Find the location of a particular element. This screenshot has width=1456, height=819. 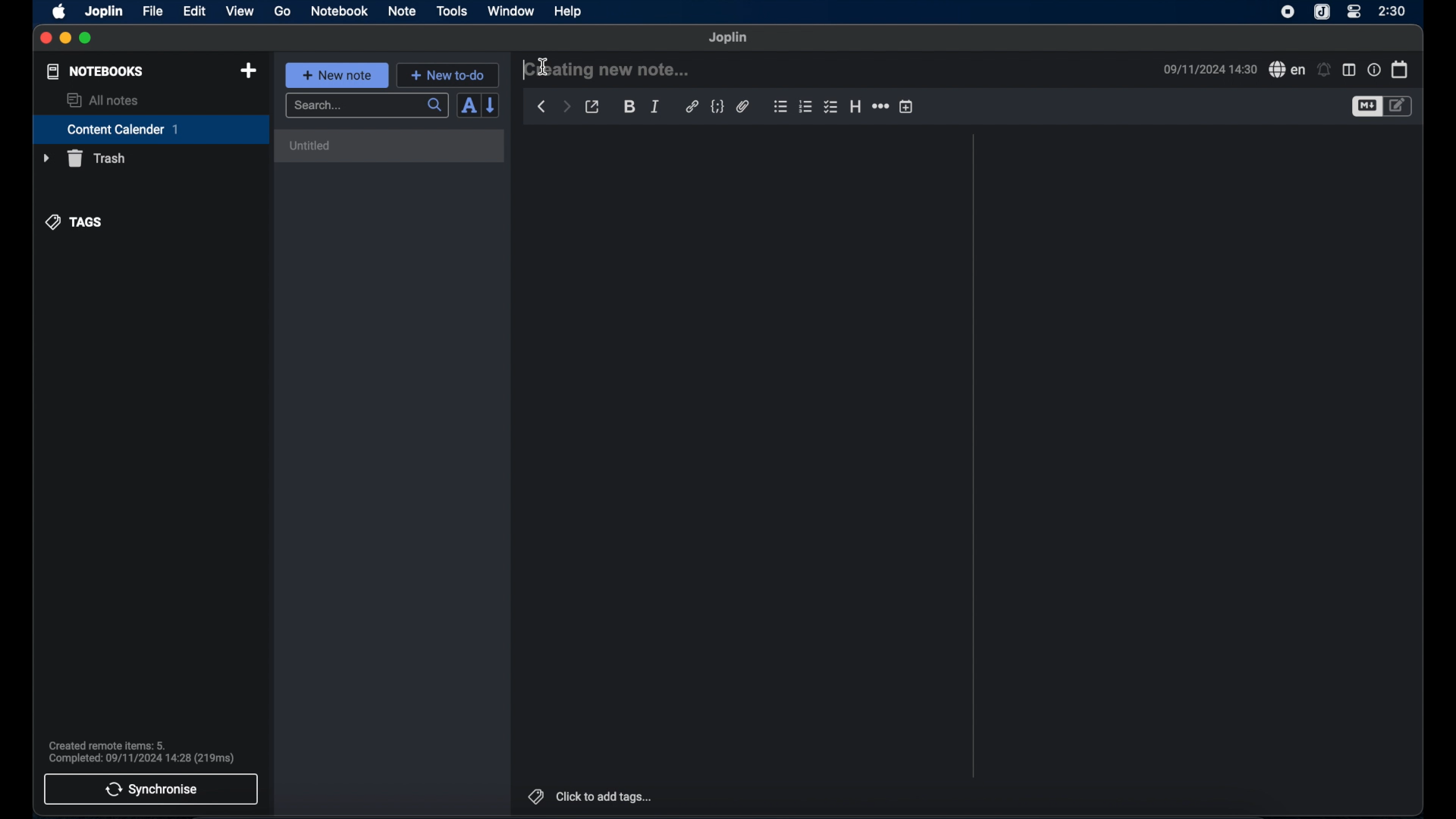

toggle editor is located at coordinates (1365, 107).